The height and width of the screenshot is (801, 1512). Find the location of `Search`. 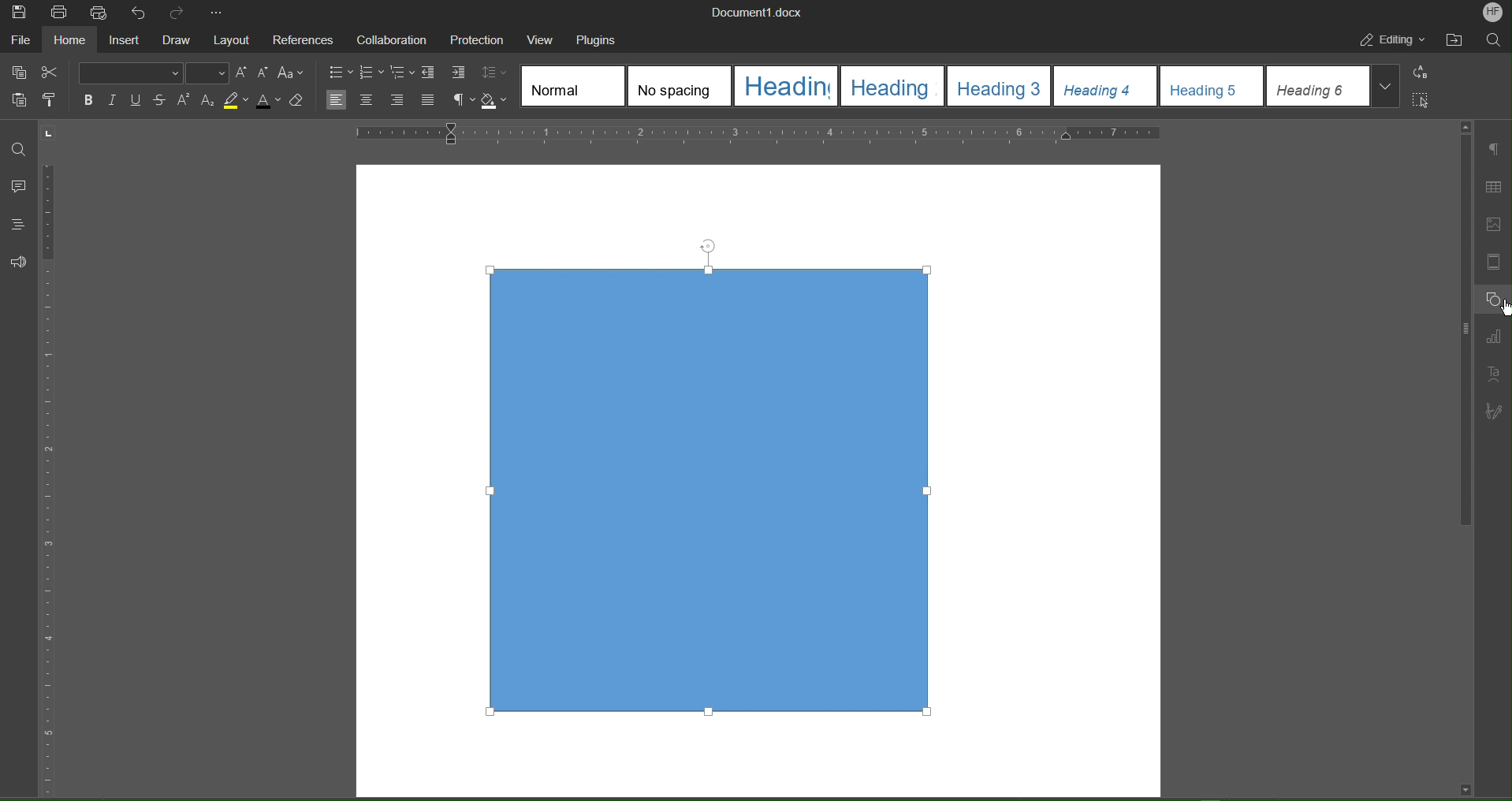

Search is located at coordinates (1496, 40).